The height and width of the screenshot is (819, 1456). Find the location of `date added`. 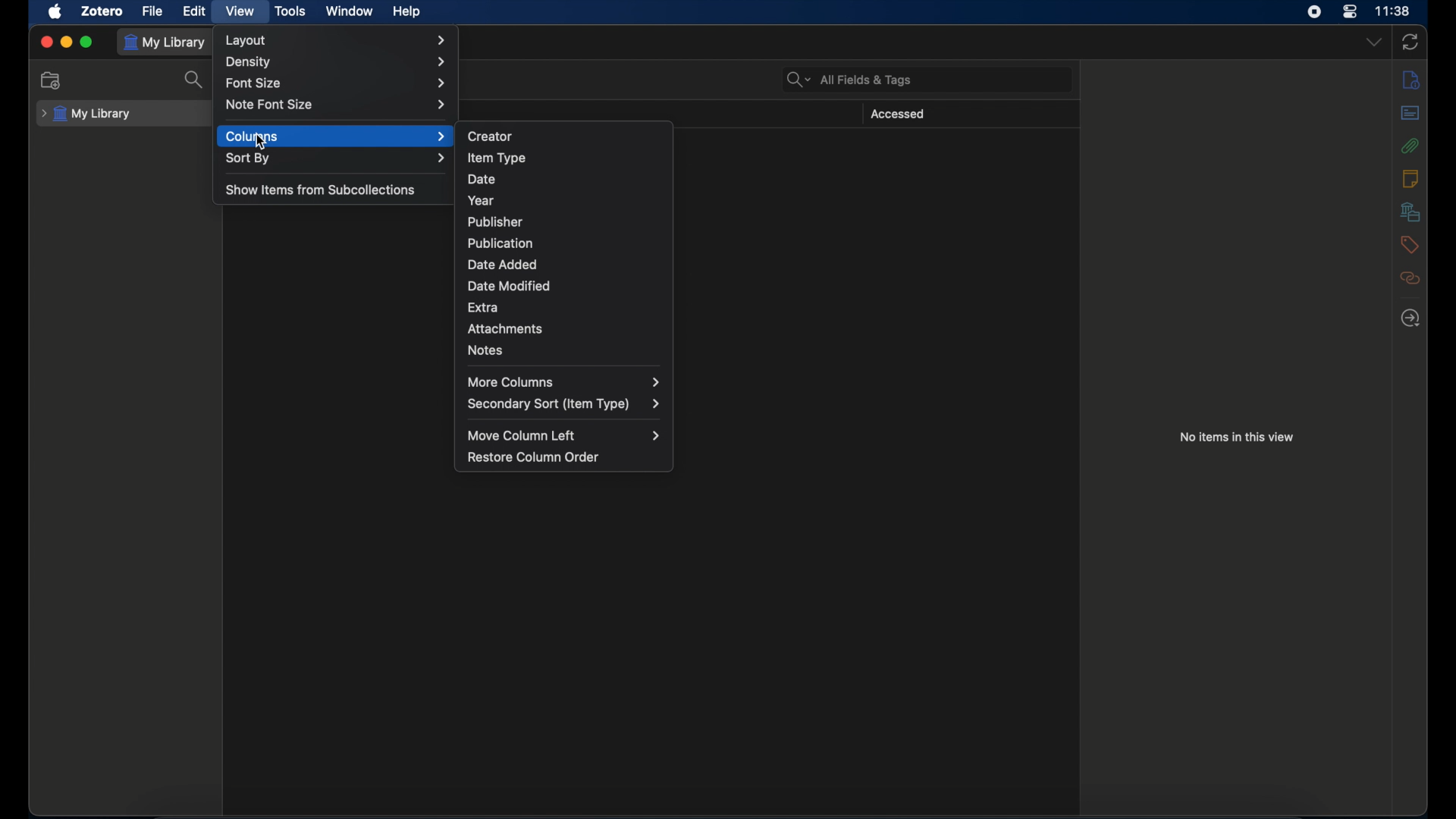

date added is located at coordinates (502, 265).